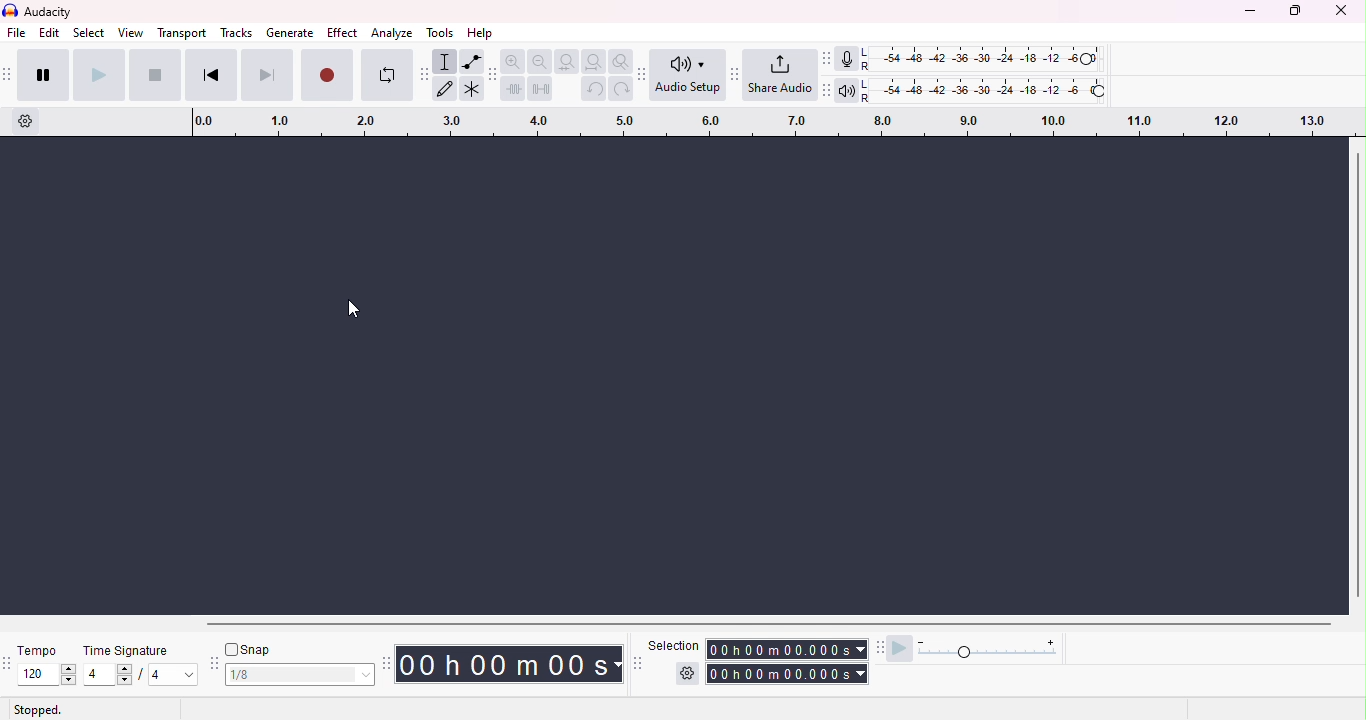  What do you see at coordinates (830, 59) in the screenshot?
I see `record meter tool bar` at bounding box center [830, 59].